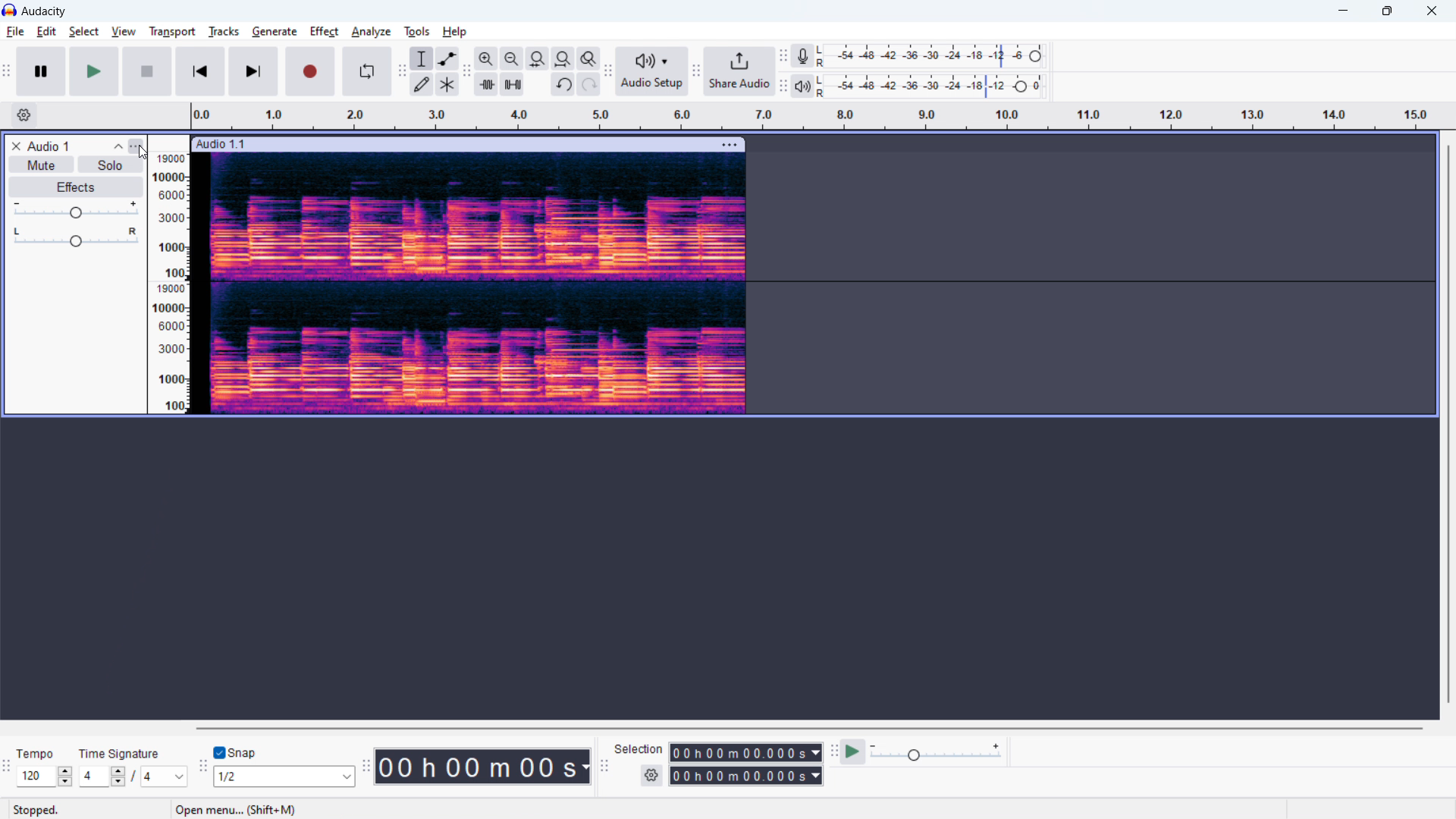 The height and width of the screenshot is (819, 1456). What do you see at coordinates (513, 84) in the screenshot?
I see `silence audiio selection` at bounding box center [513, 84].